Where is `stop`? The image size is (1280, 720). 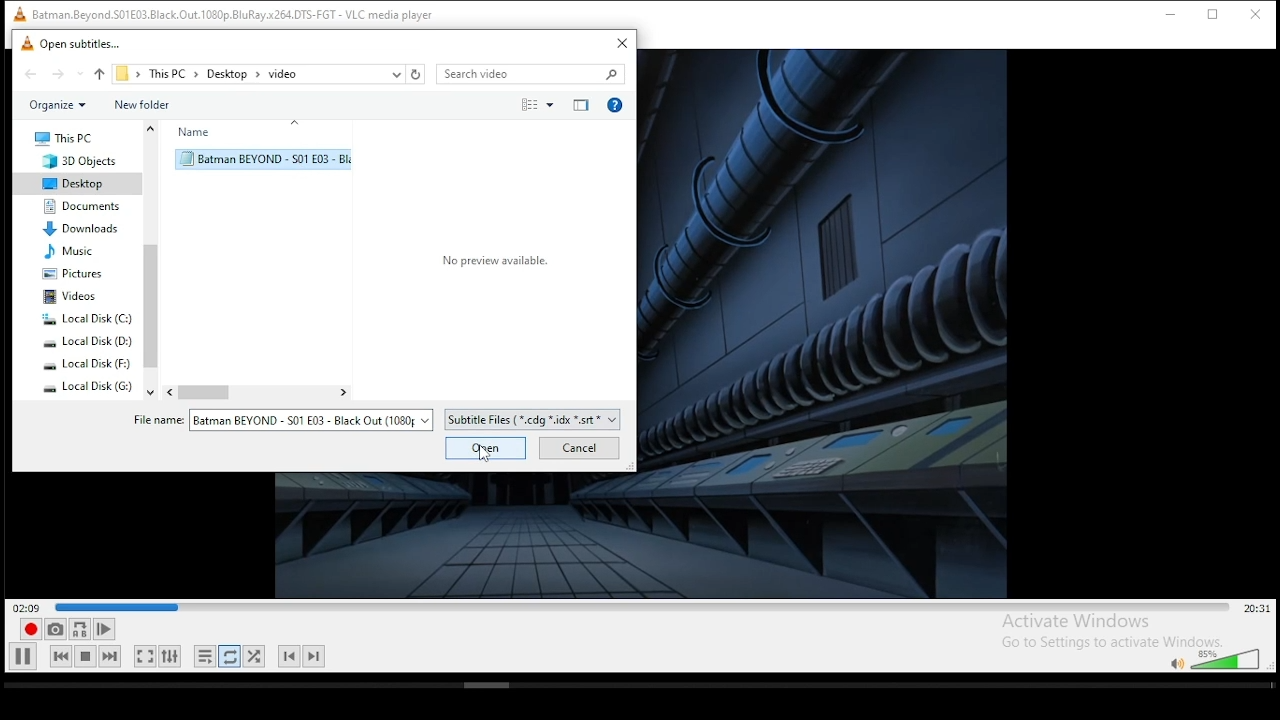
stop is located at coordinates (84, 656).